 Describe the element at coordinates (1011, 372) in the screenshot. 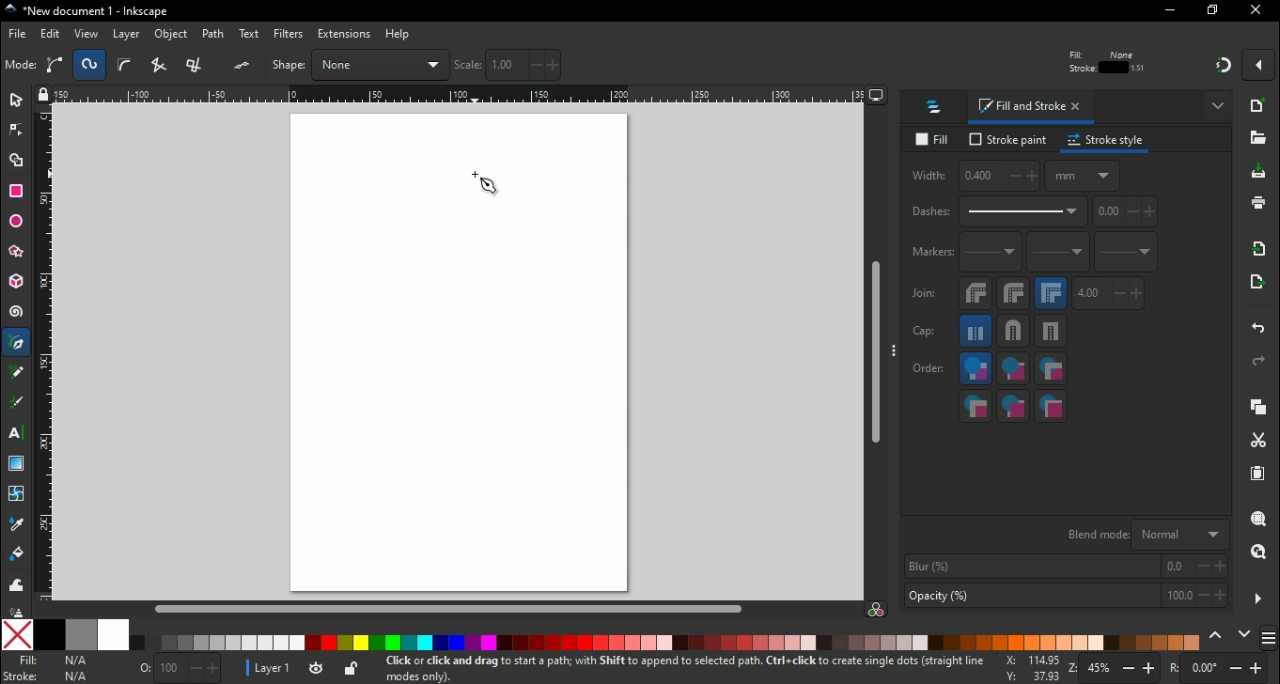

I see `stroke, fill, markers` at that location.